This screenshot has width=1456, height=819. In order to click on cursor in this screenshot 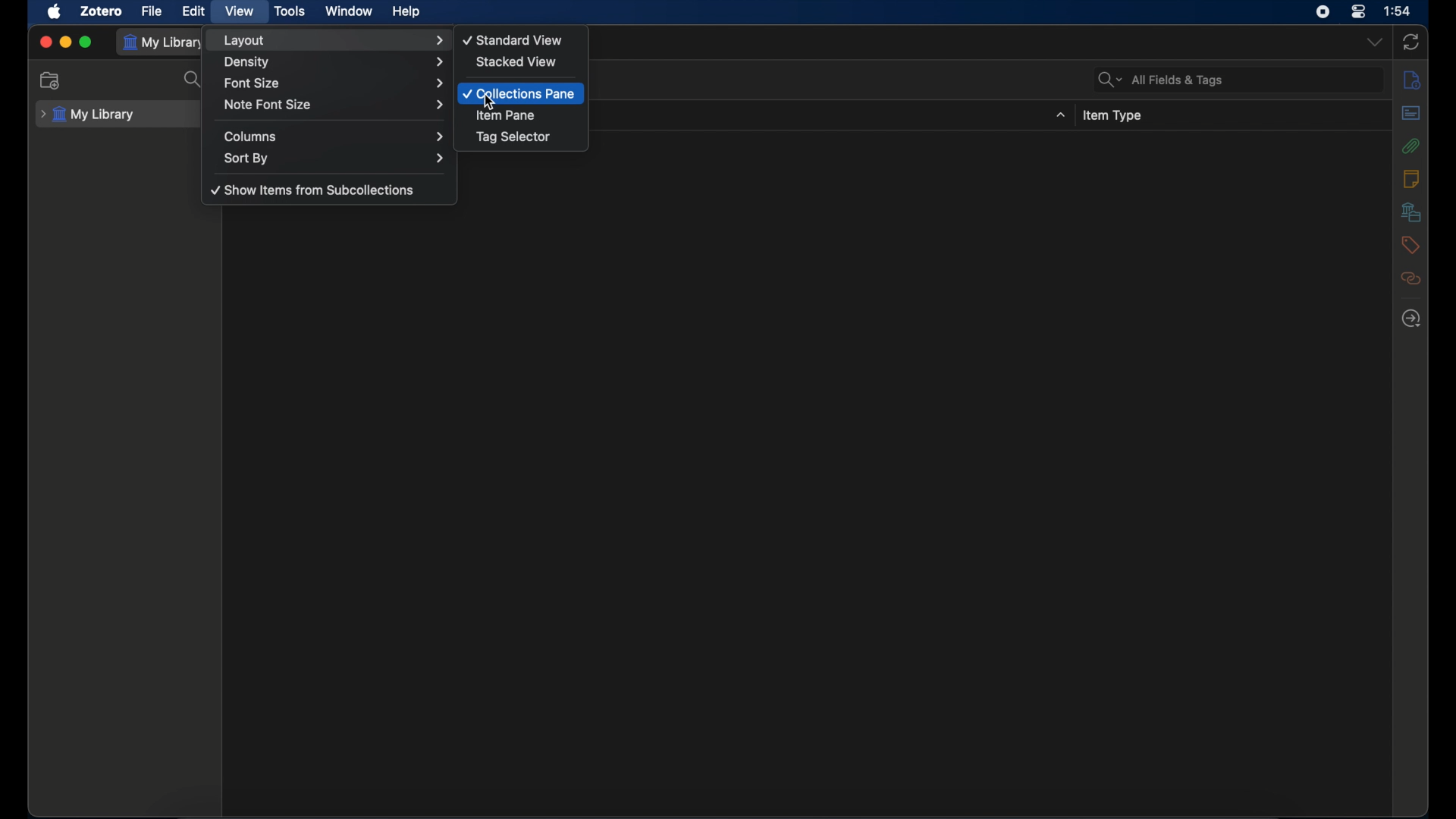, I will do `click(488, 102)`.